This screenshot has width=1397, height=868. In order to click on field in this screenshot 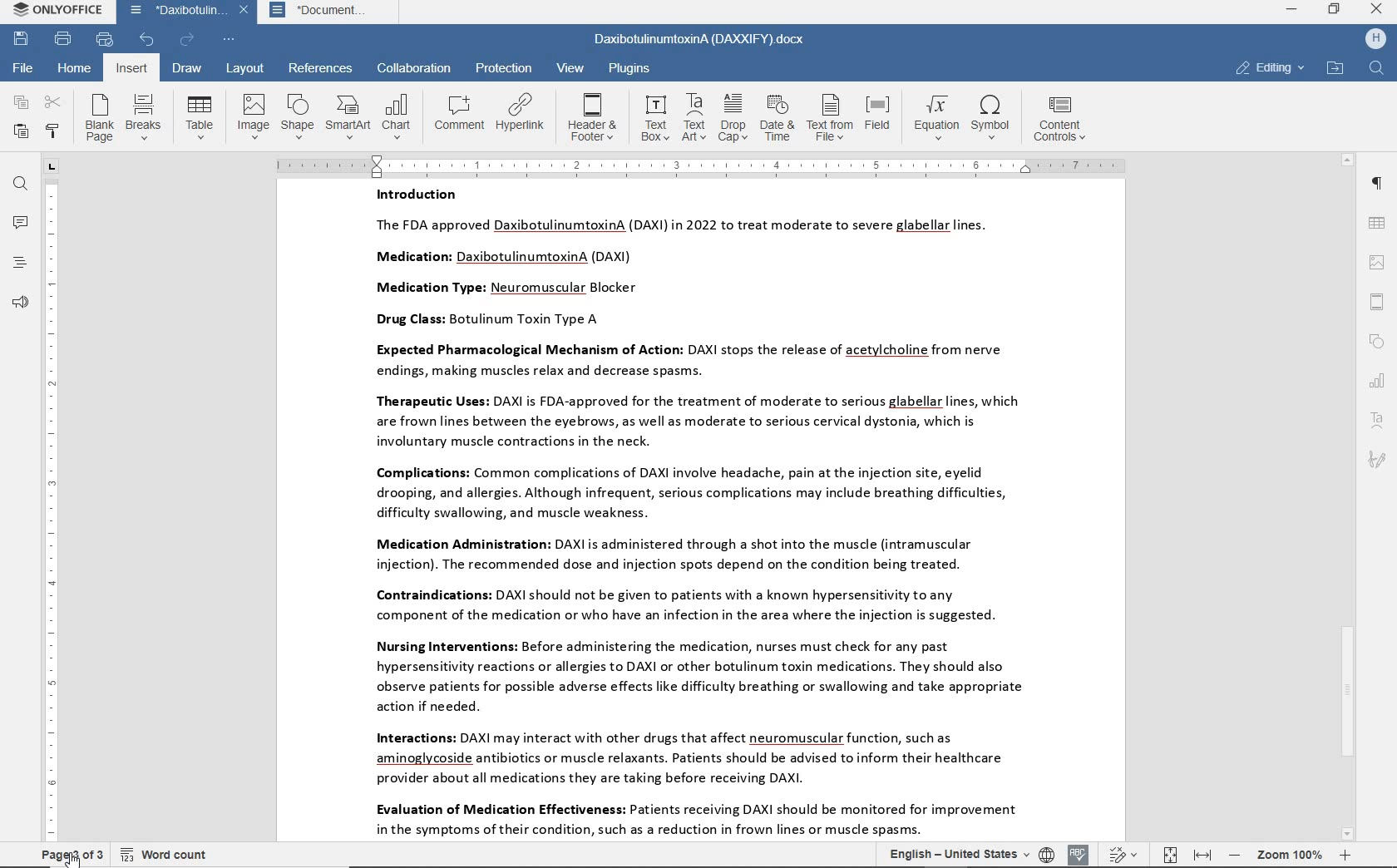, I will do `click(879, 119)`.